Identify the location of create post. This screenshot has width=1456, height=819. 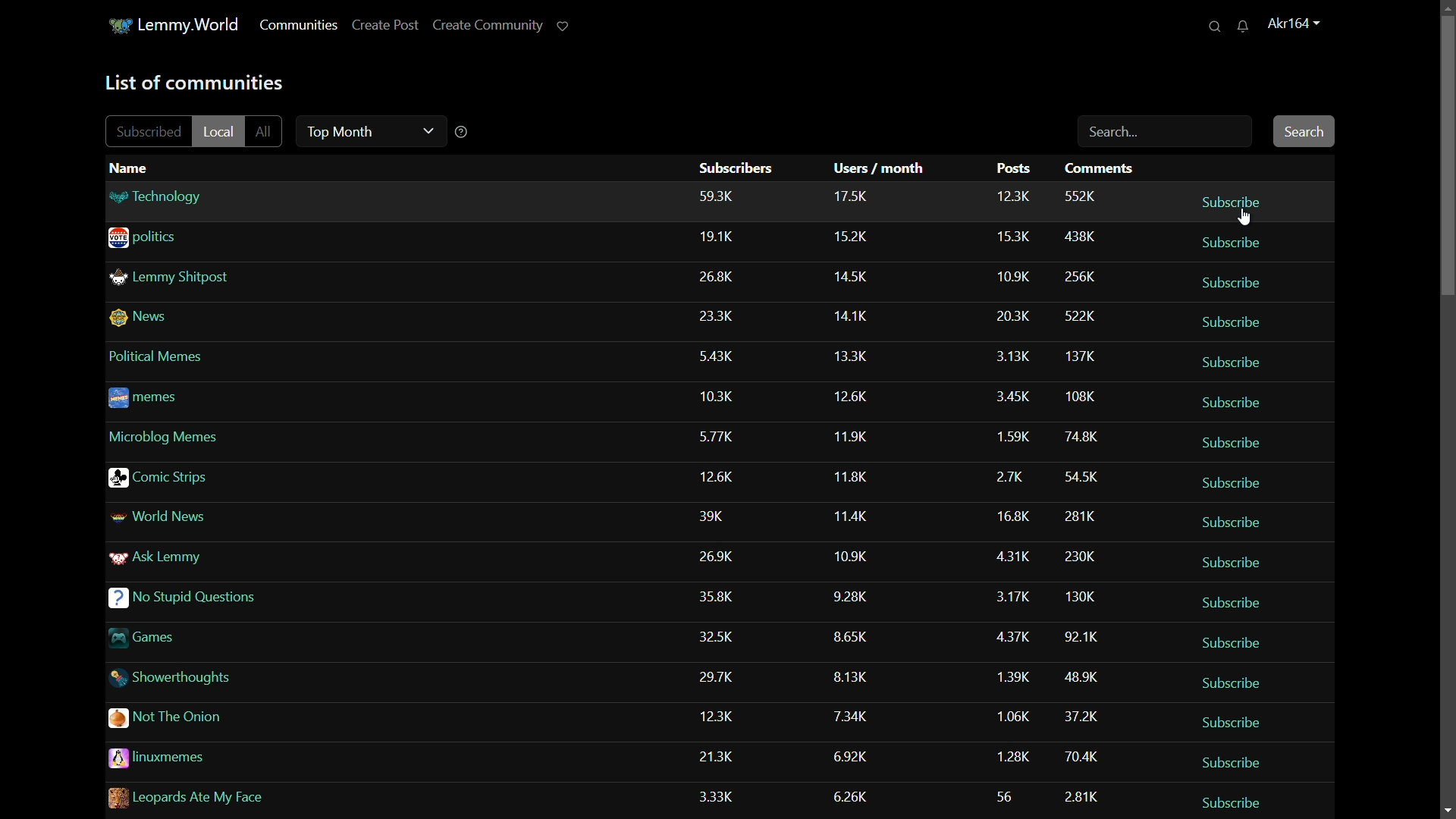
(384, 24).